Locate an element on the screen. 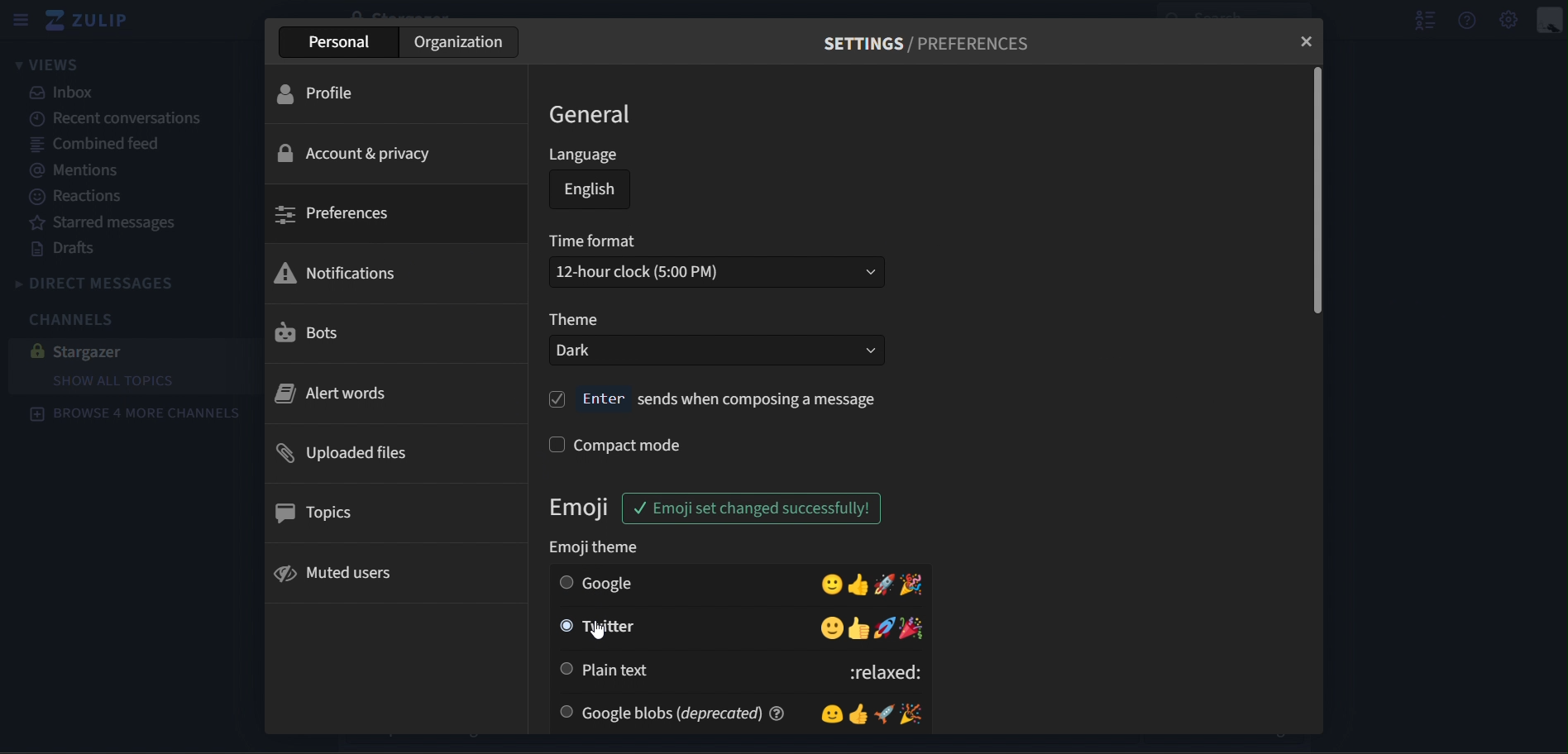 The width and height of the screenshot is (1568, 754). personal  is located at coordinates (341, 43).